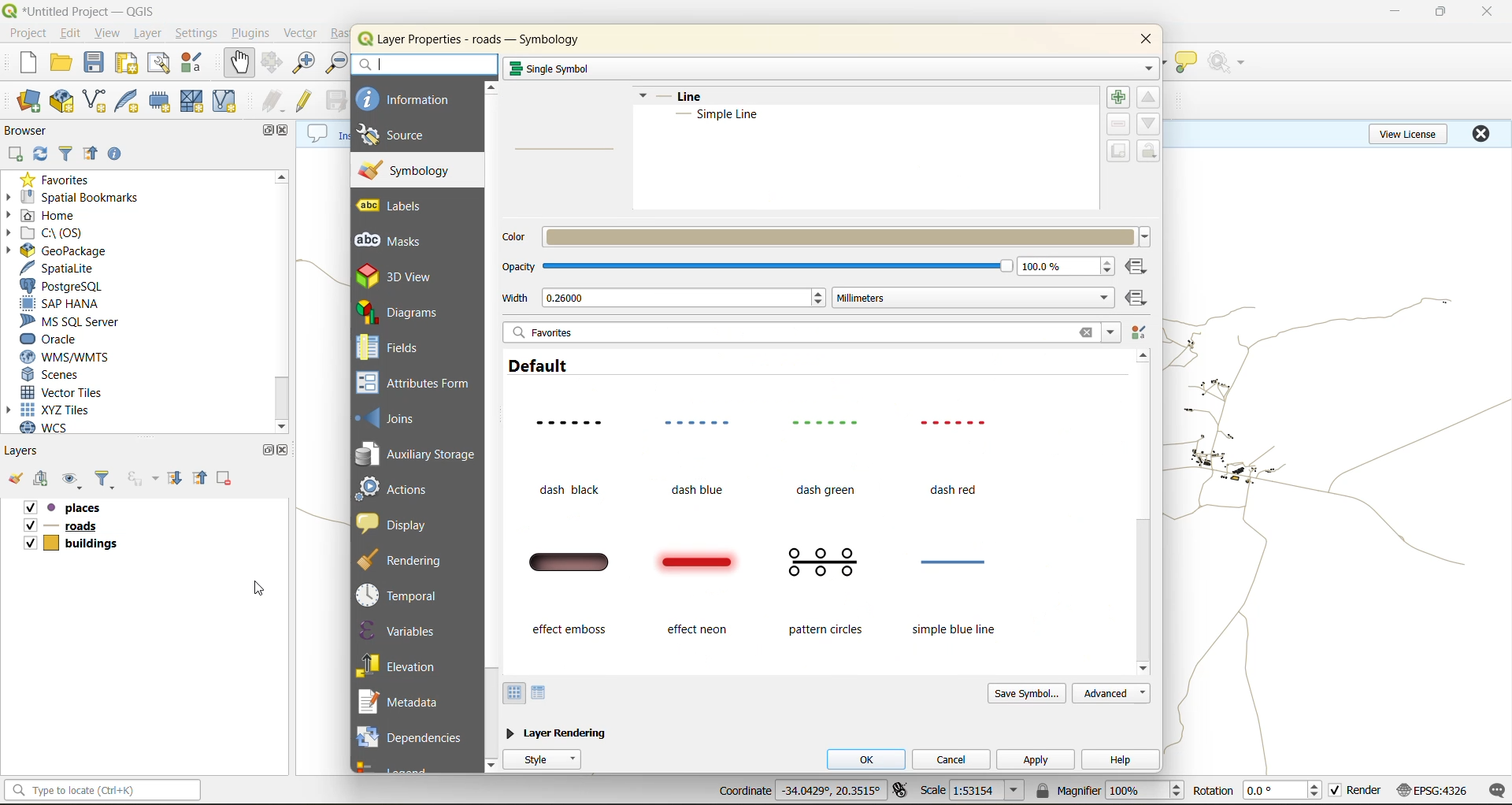  I want to click on favorites, so click(65, 180).